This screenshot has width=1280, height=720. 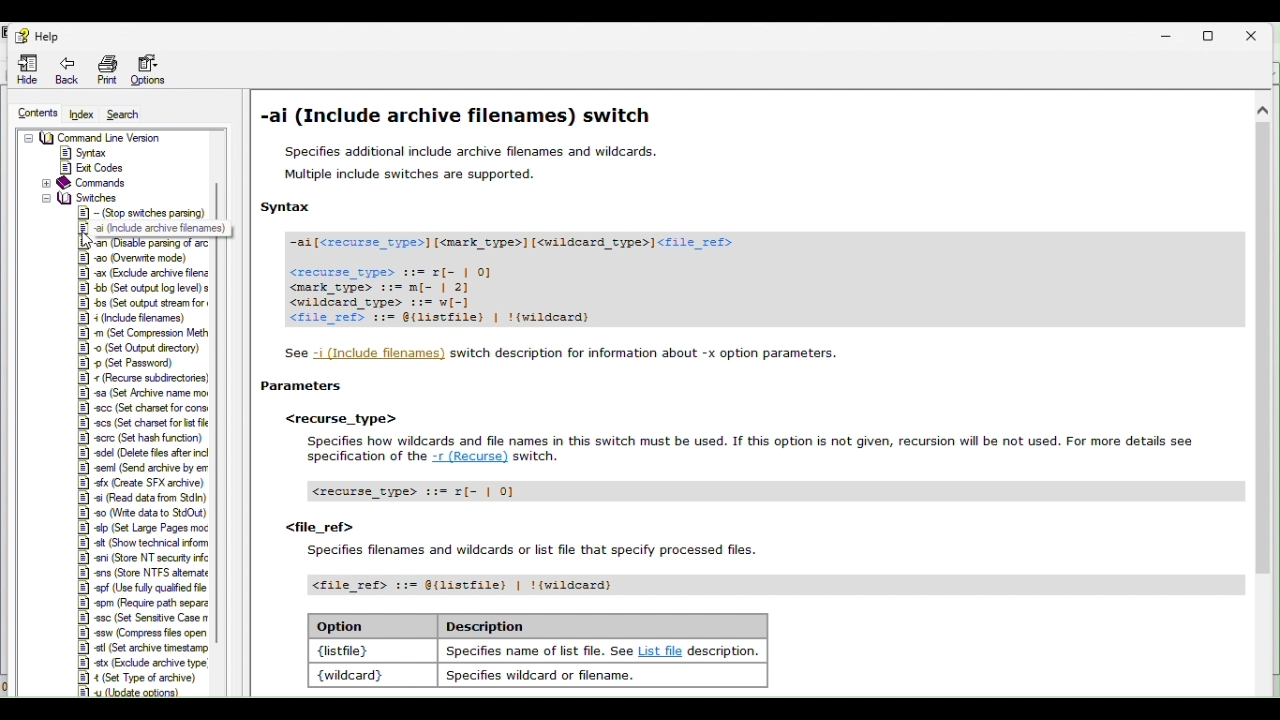 I want to click on switches, so click(x=86, y=199).